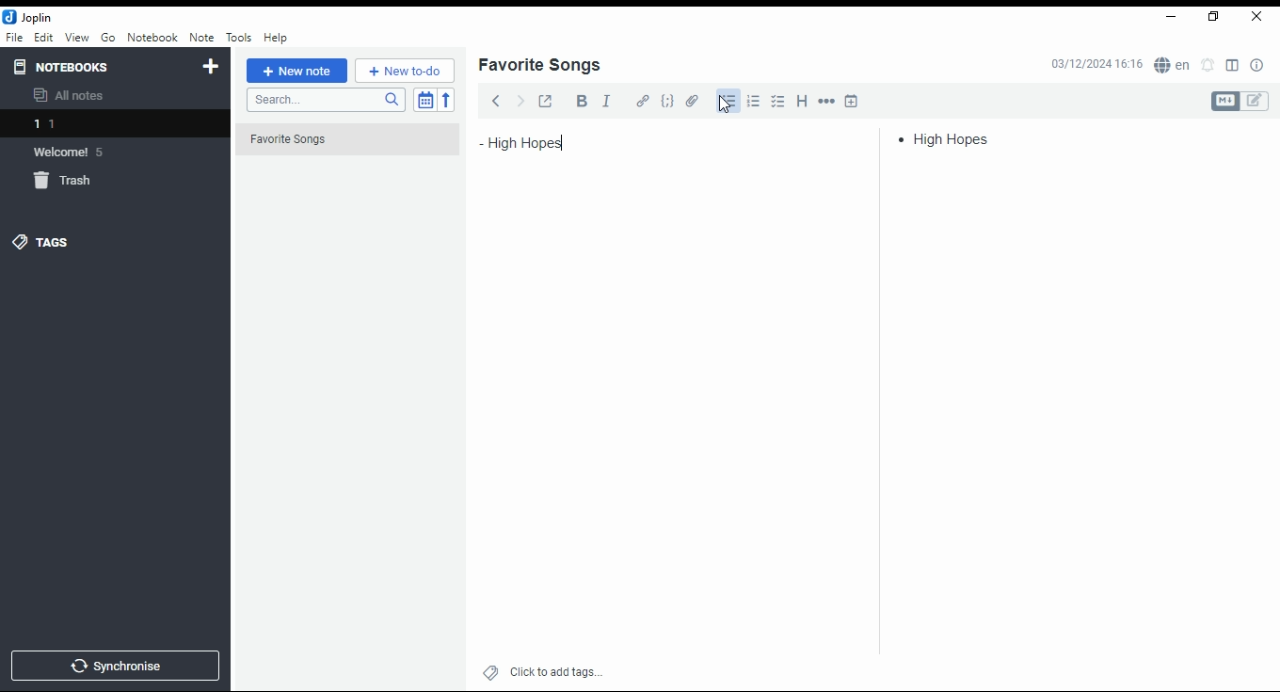  What do you see at coordinates (546, 100) in the screenshot?
I see `toggle external editing` at bounding box center [546, 100].